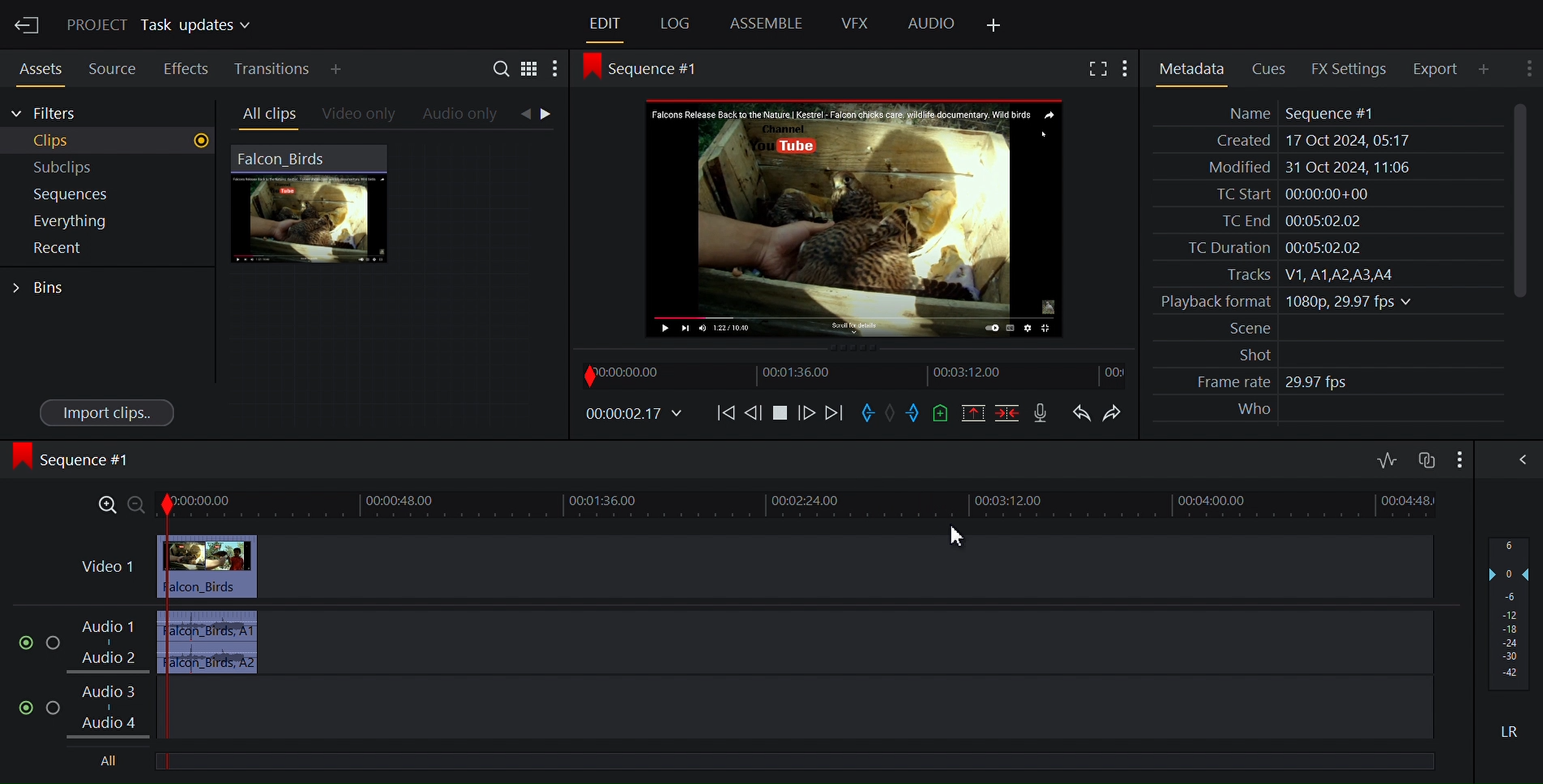  Describe the element at coordinates (530, 67) in the screenshot. I see `Toggle between list and tile view` at that location.